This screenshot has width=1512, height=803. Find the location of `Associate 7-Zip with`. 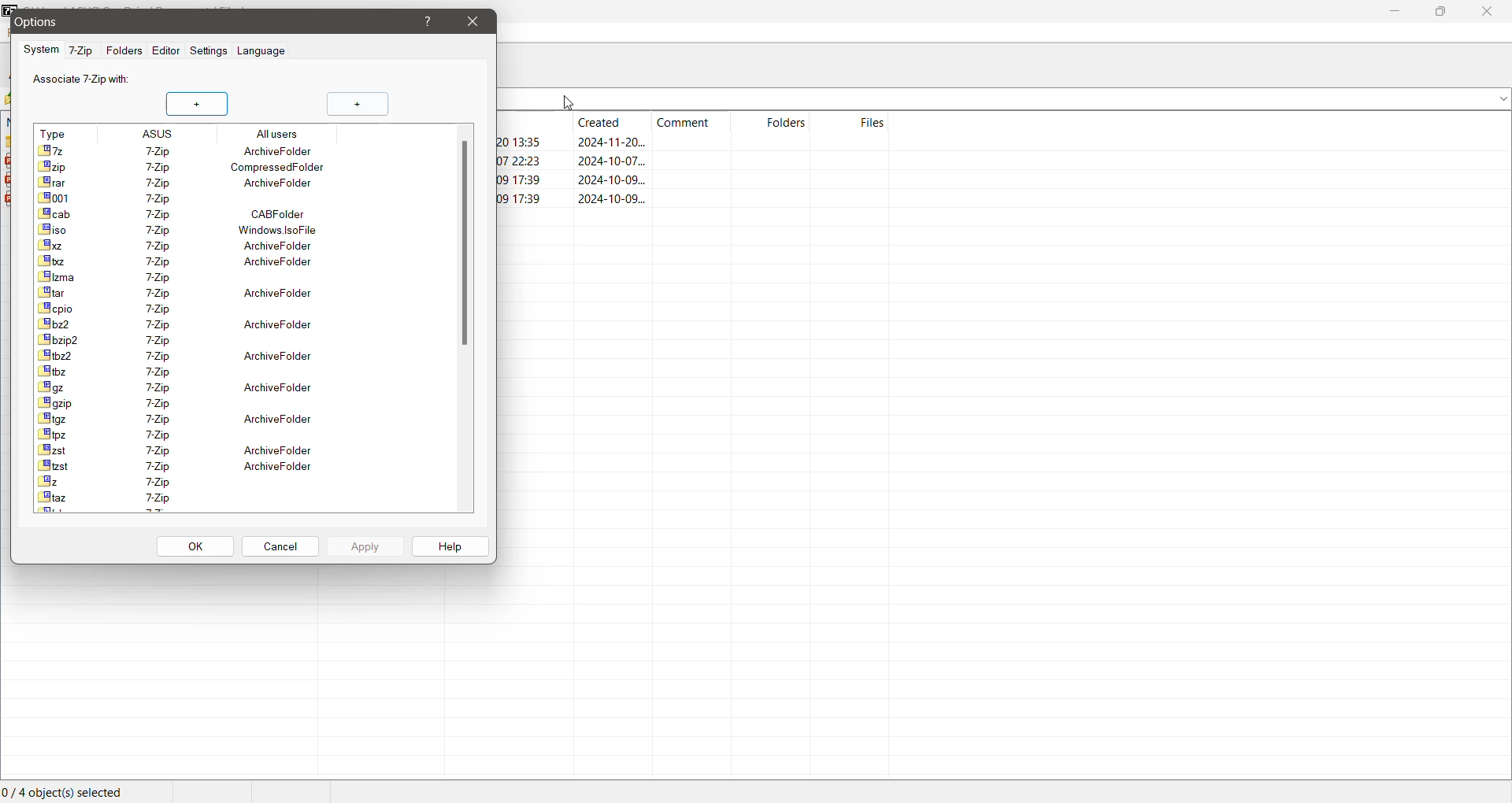

Associate 7-Zip with is located at coordinates (83, 79).